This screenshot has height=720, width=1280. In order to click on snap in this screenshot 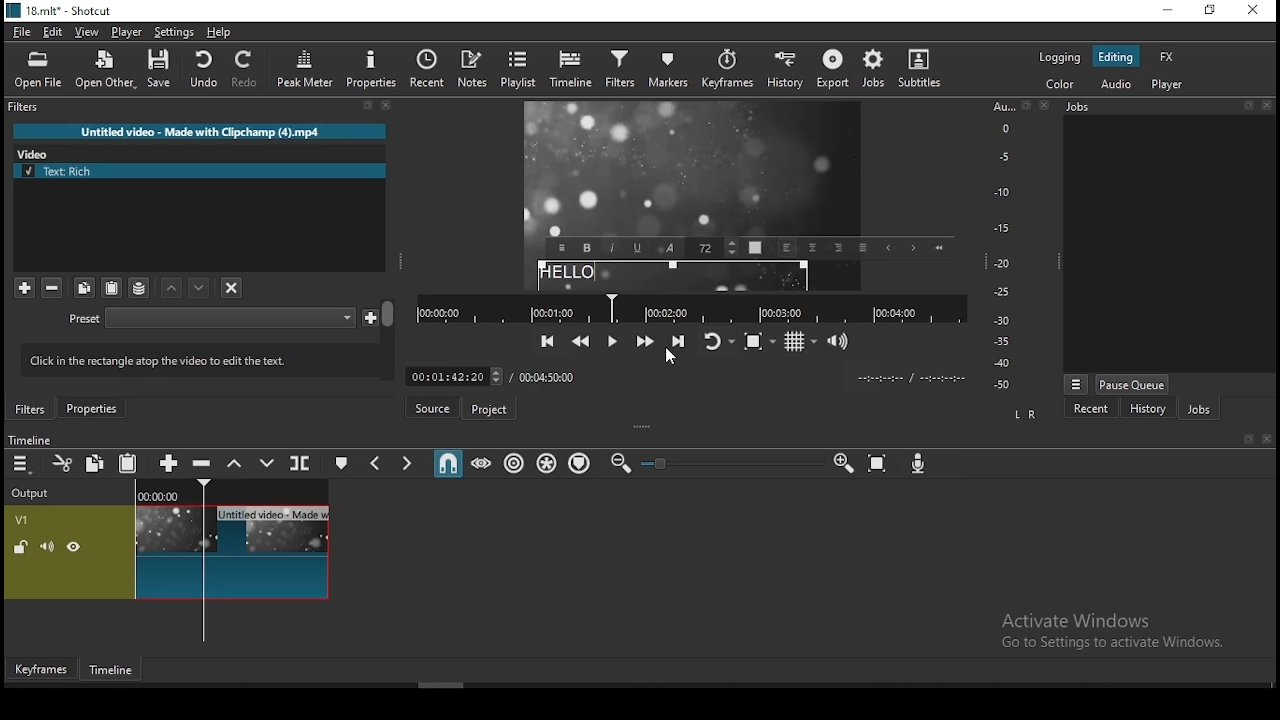, I will do `click(447, 461)`.